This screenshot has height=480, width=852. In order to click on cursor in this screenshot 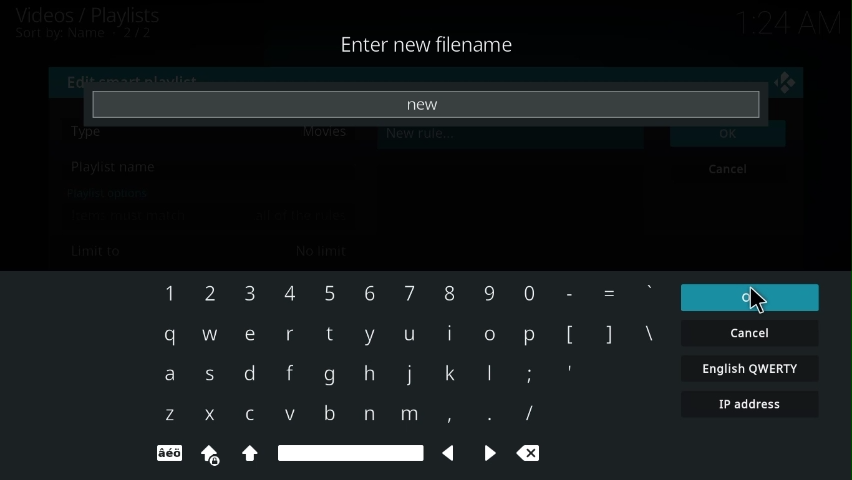, I will do `click(757, 301)`.